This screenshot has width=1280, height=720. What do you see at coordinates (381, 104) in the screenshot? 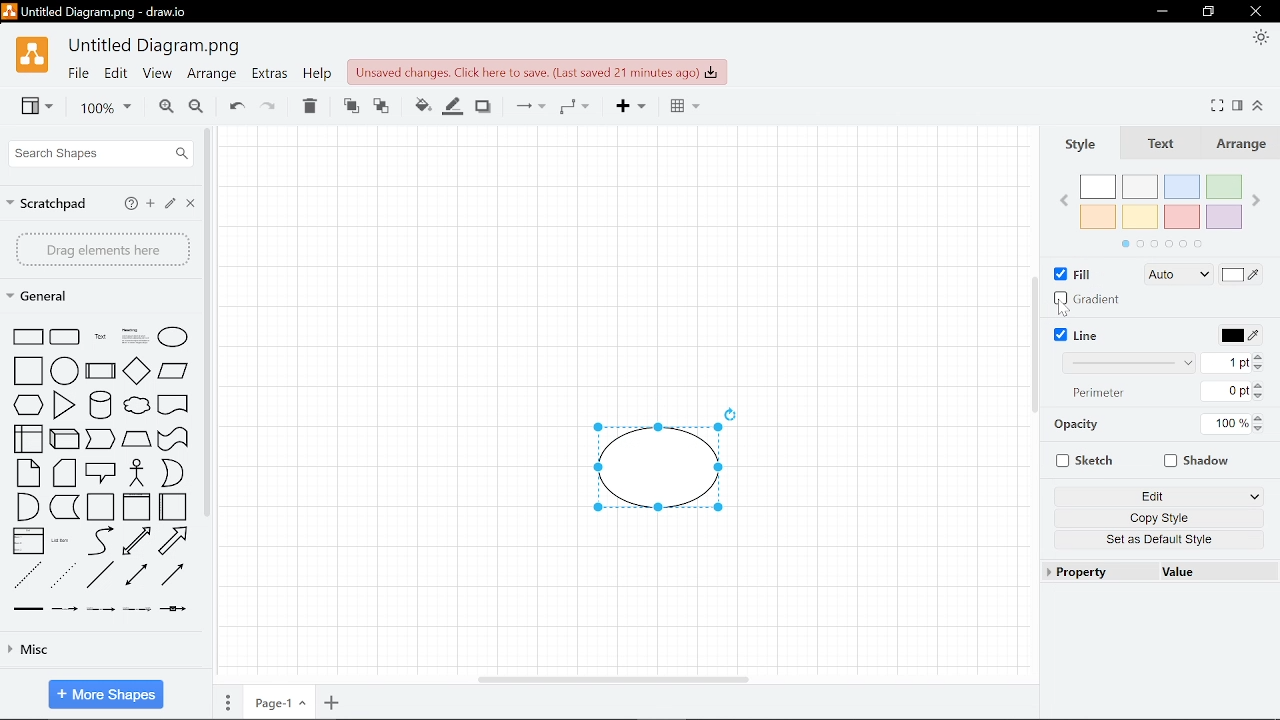
I see `To back` at bounding box center [381, 104].